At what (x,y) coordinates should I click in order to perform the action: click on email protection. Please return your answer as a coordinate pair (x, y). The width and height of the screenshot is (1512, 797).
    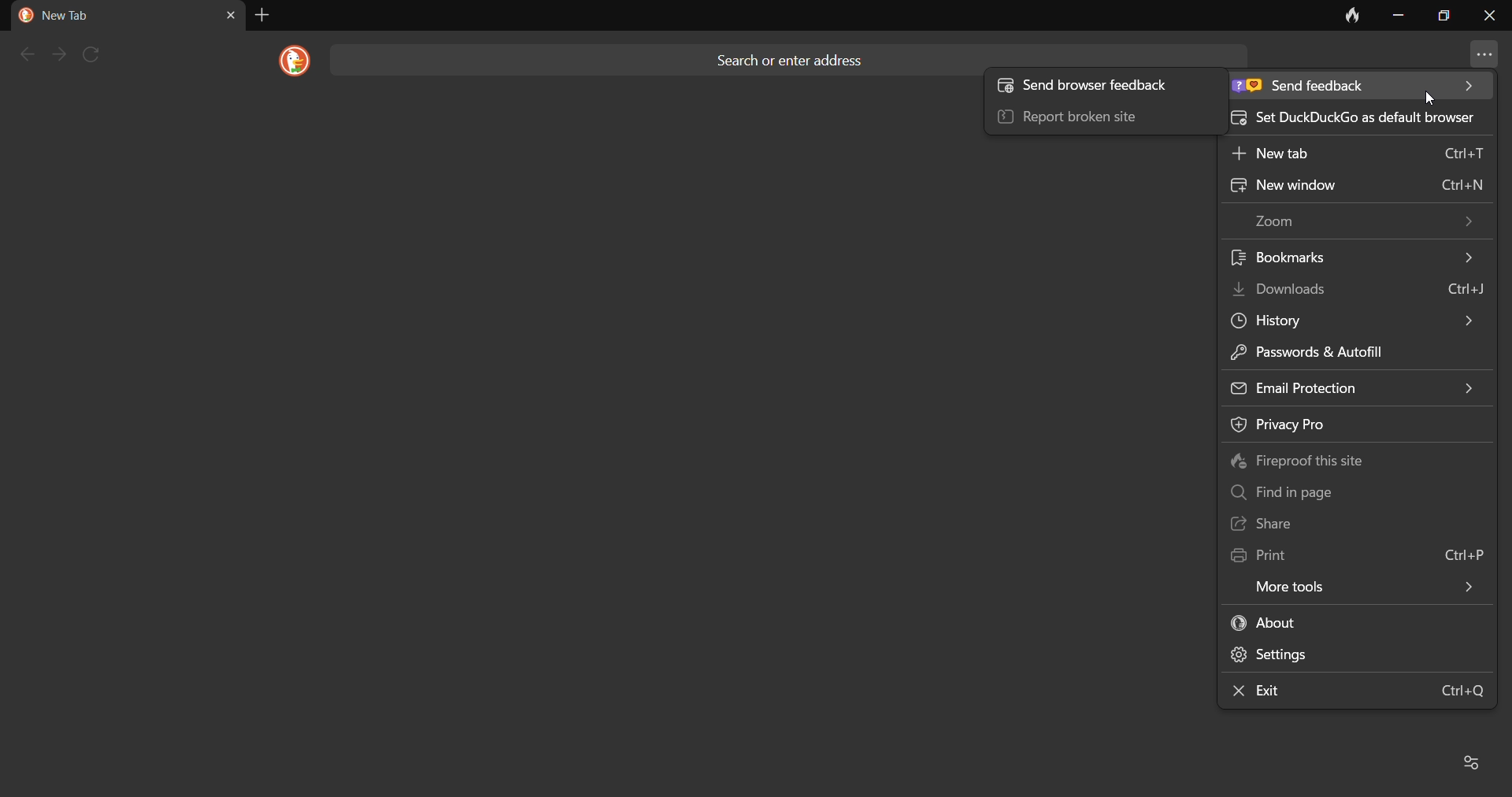
    Looking at the image, I should click on (1354, 385).